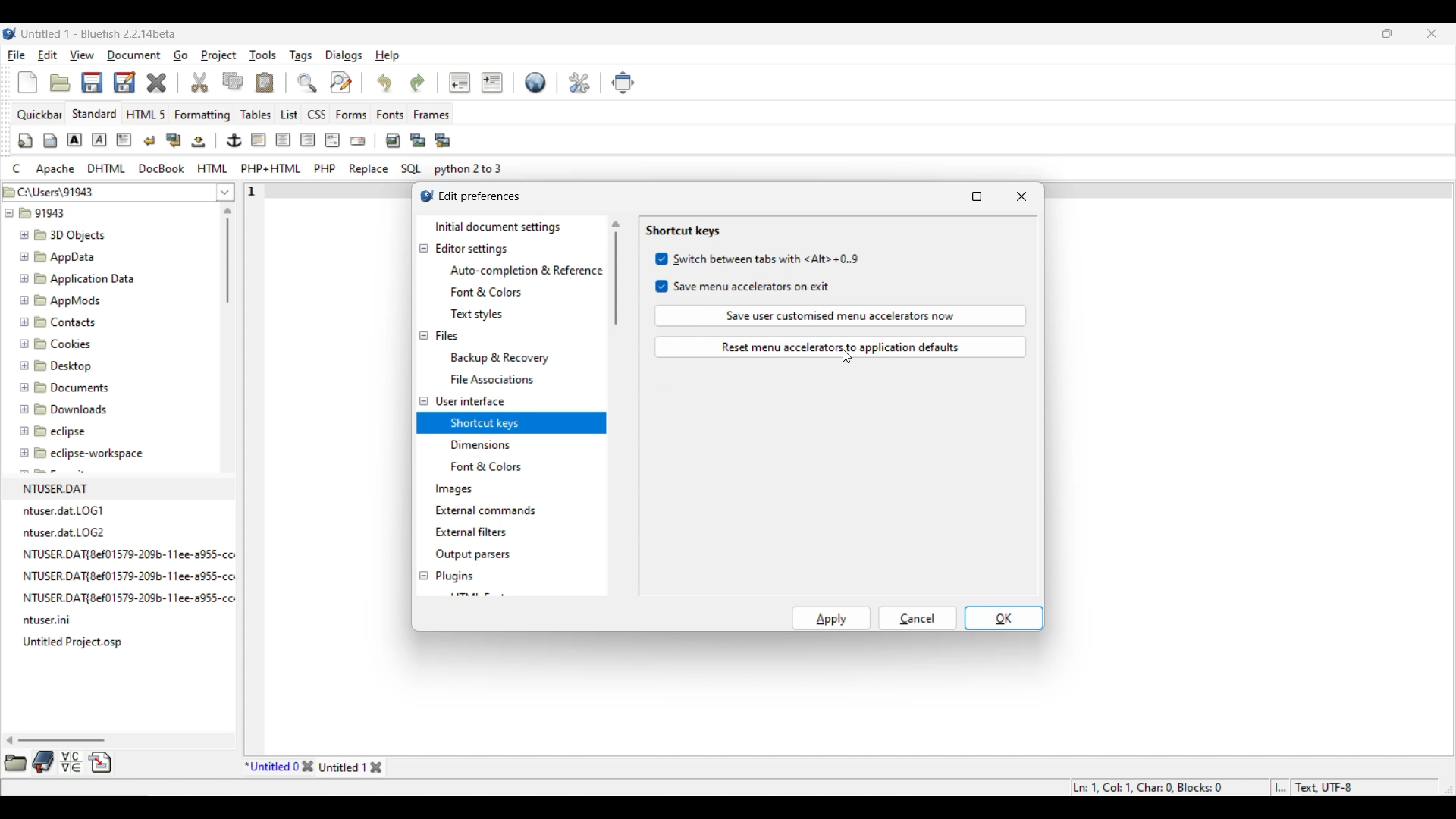  I want to click on Show in smaller tab, so click(1387, 33).